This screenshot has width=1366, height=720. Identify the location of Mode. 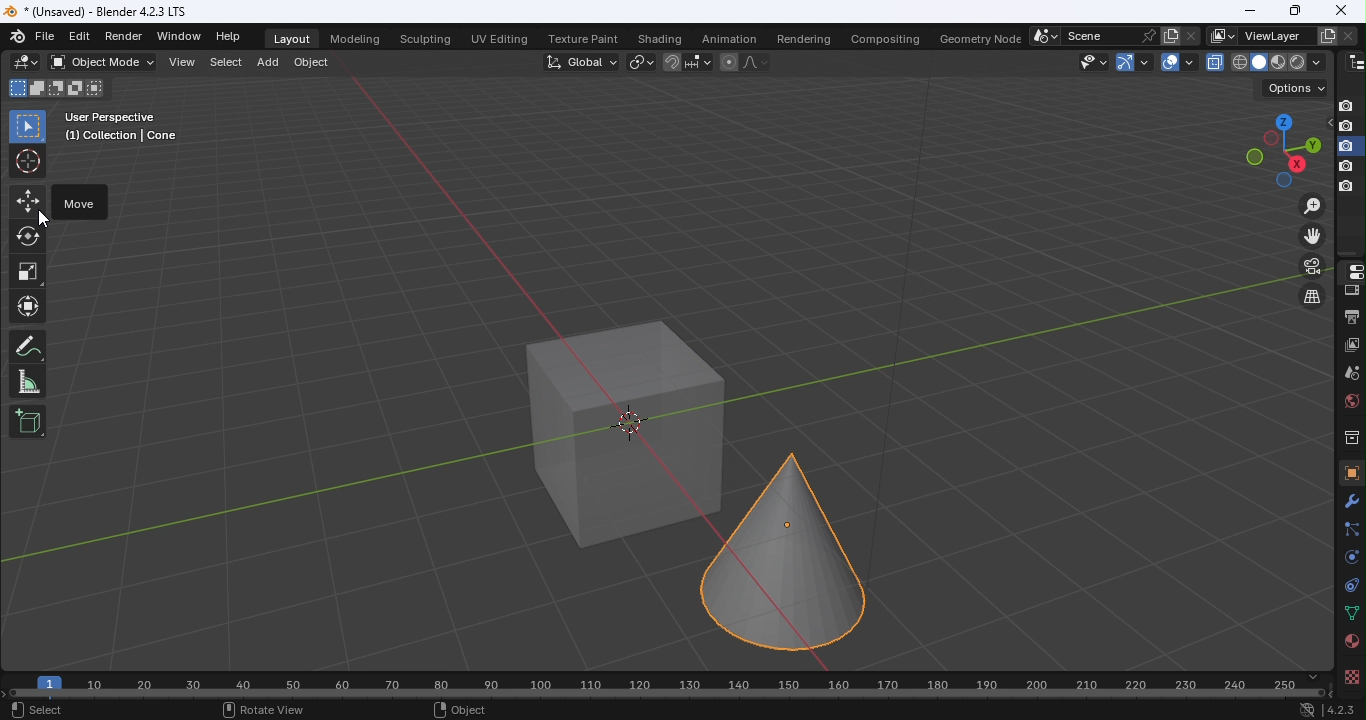
(38, 89).